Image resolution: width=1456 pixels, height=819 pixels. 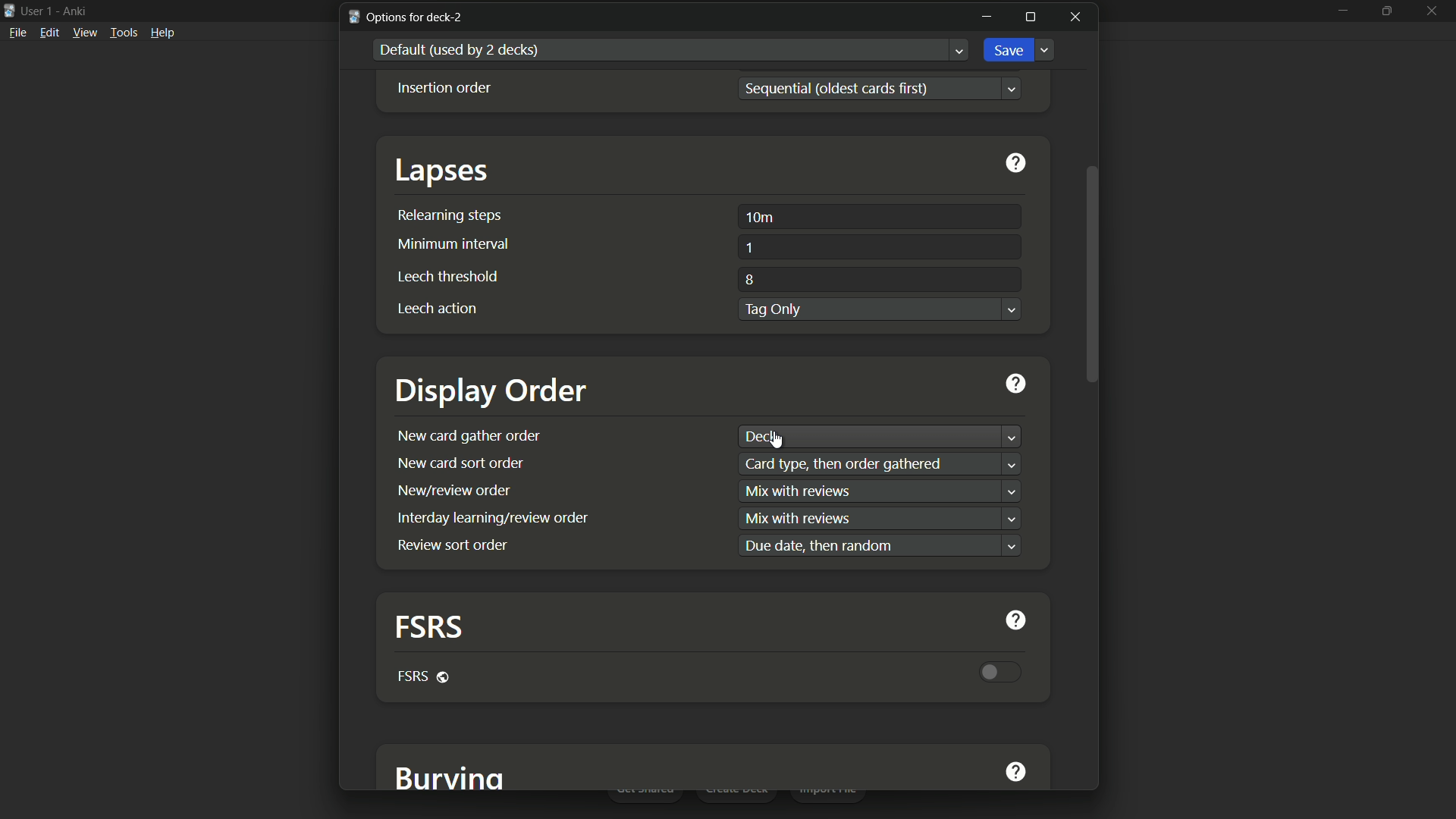 I want to click on app name, so click(x=74, y=11).